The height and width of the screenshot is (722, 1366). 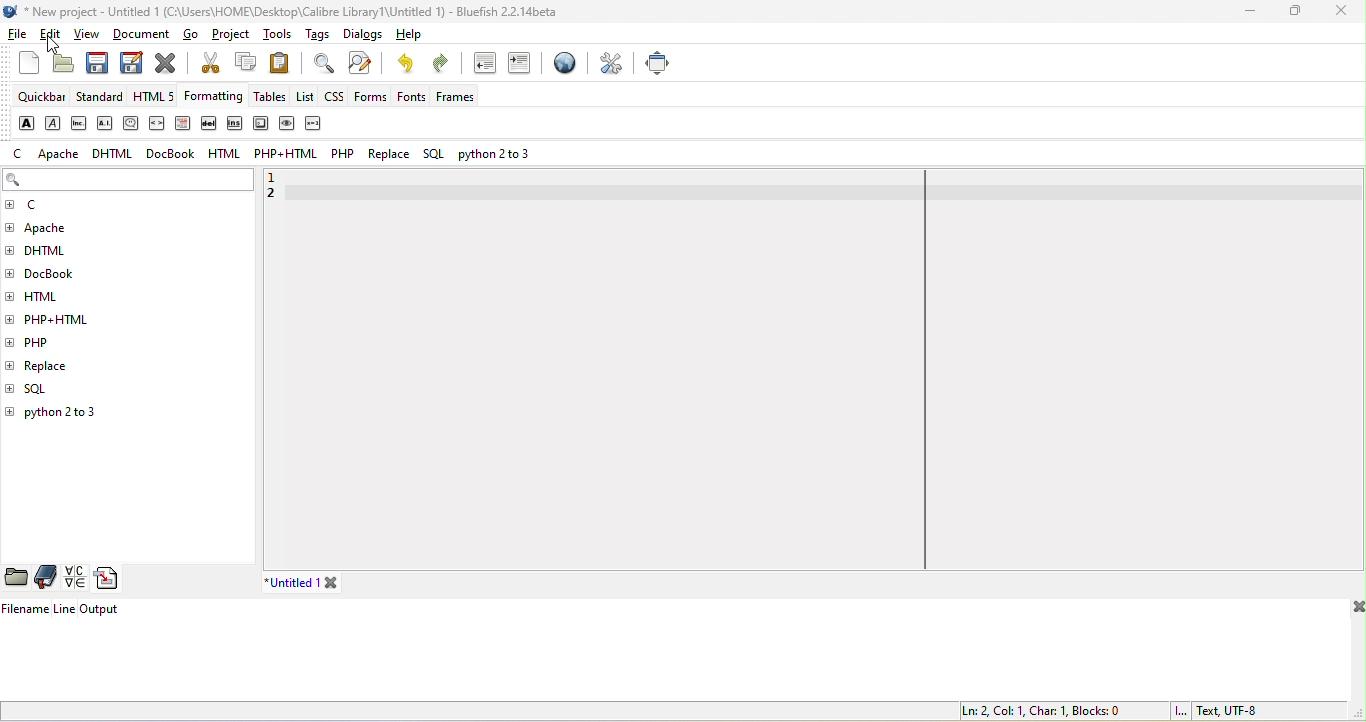 I want to click on php, so click(x=345, y=156).